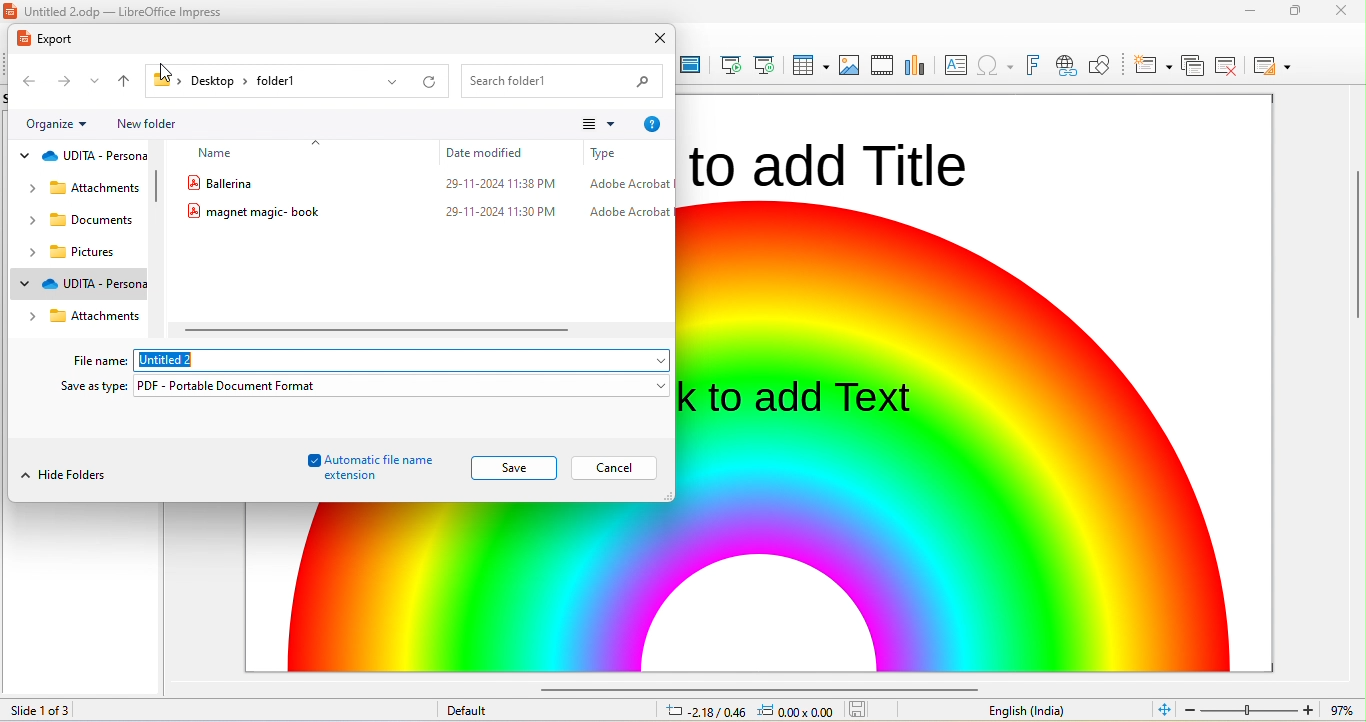 The image size is (1366, 722). I want to click on hyperlink, so click(1065, 66).